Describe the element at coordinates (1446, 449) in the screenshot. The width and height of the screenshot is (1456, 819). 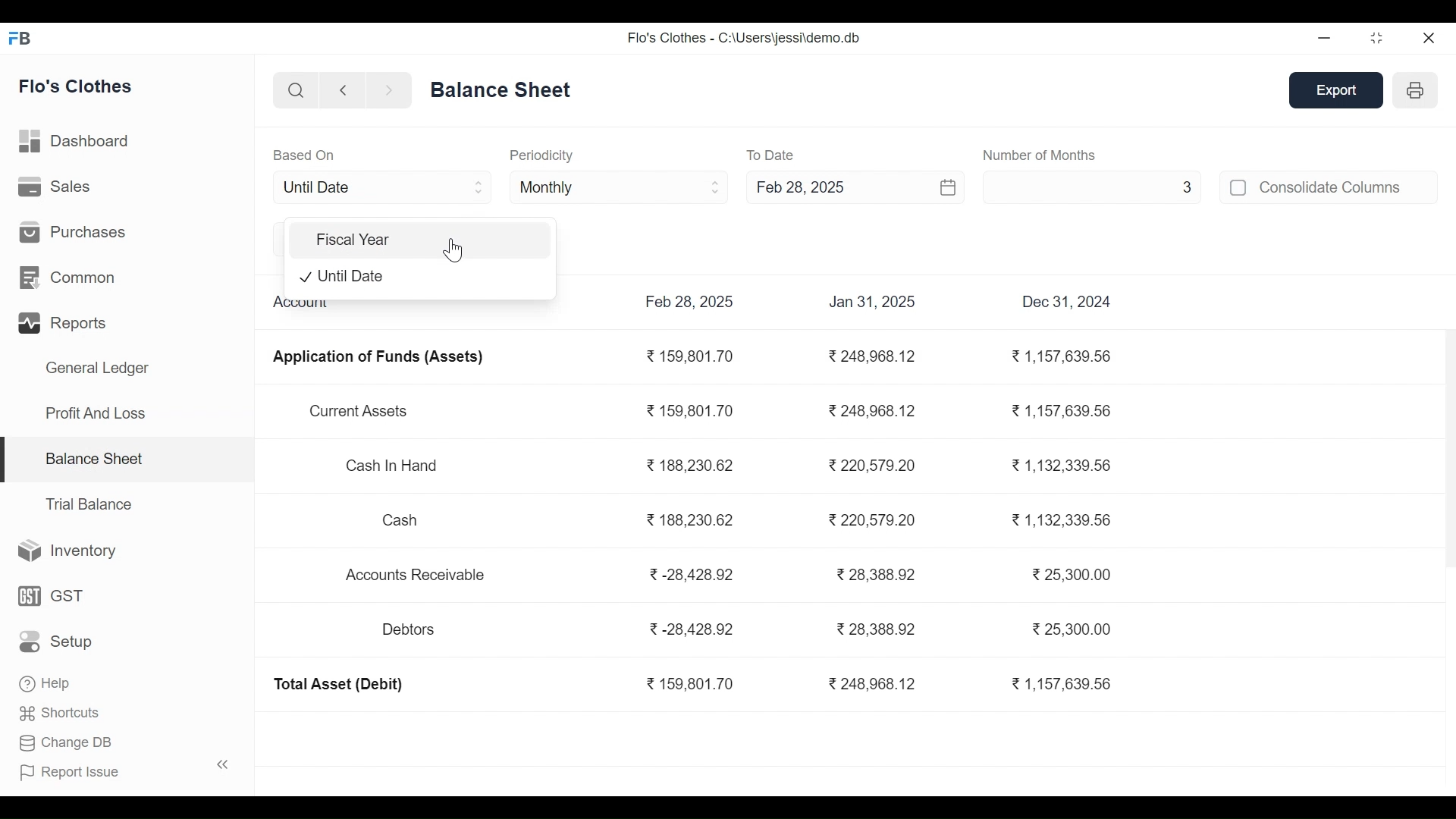
I see `scrollbar` at that location.